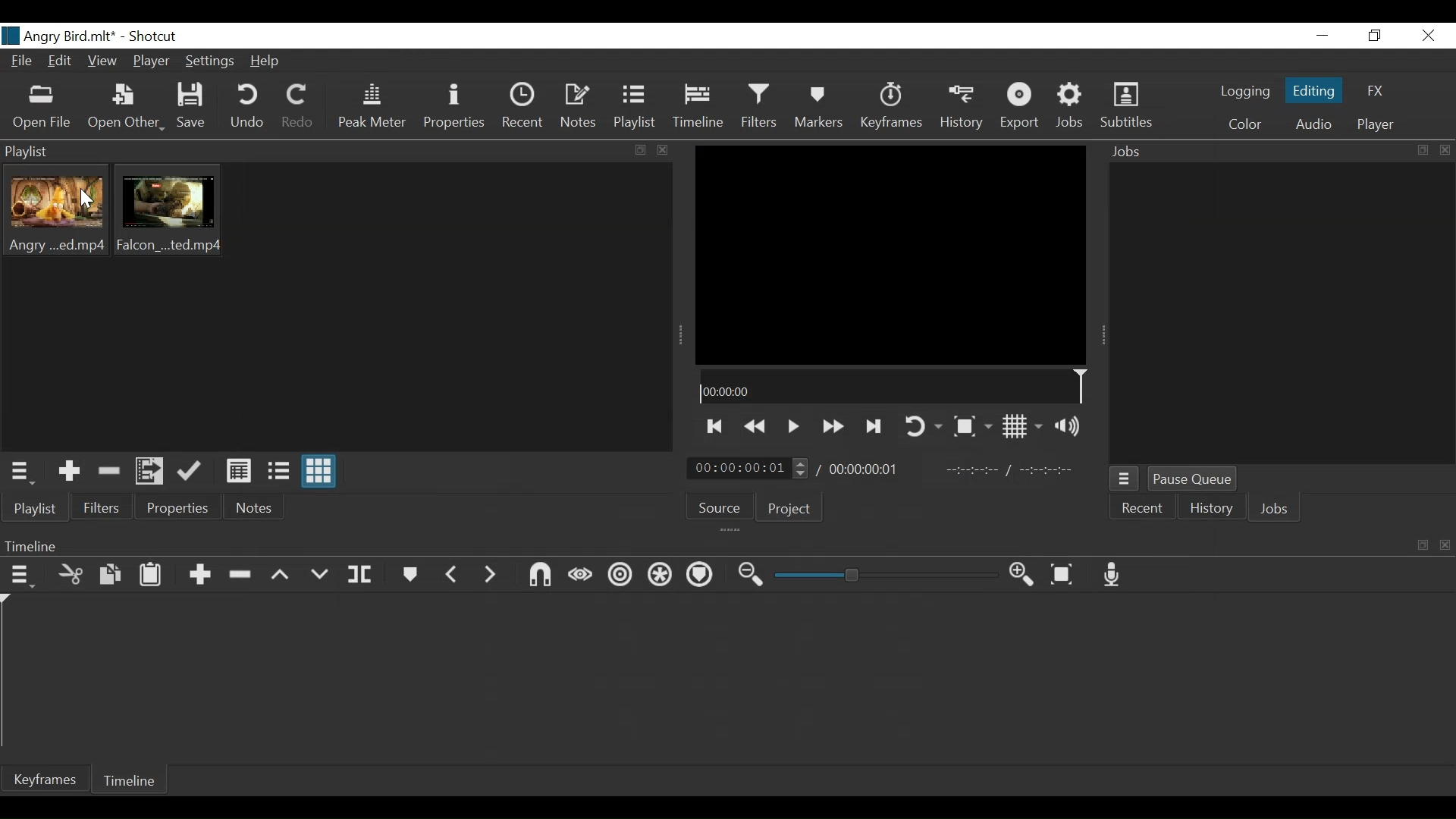  I want to click on Jobs, so click(1072, 108).